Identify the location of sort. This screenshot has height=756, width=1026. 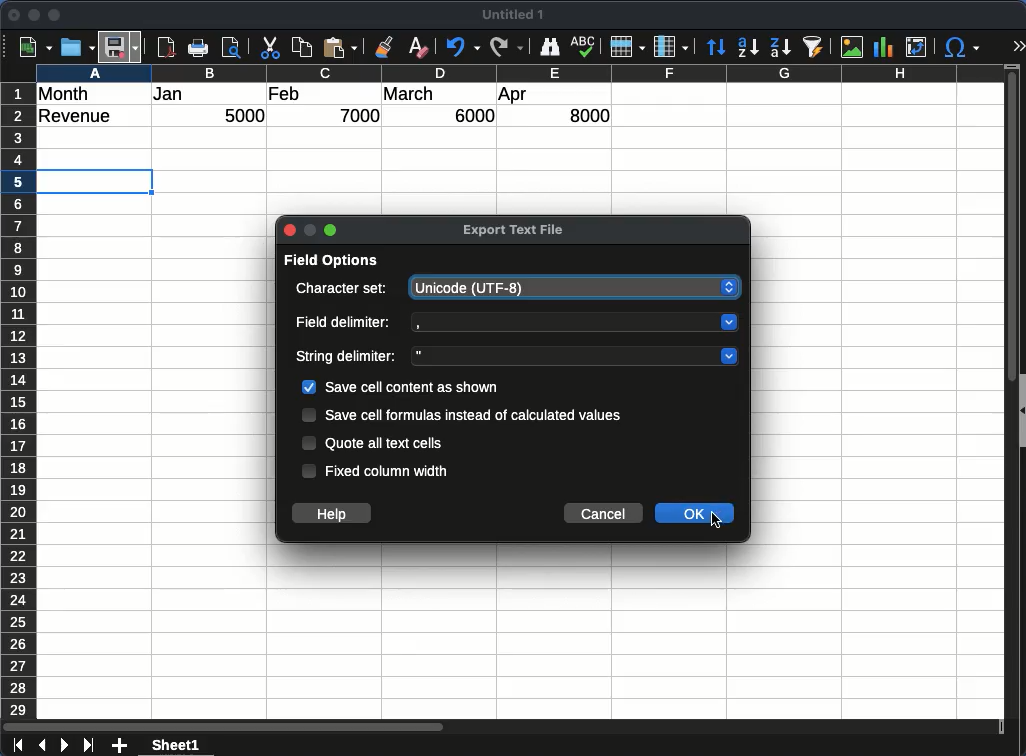
(716, 47).